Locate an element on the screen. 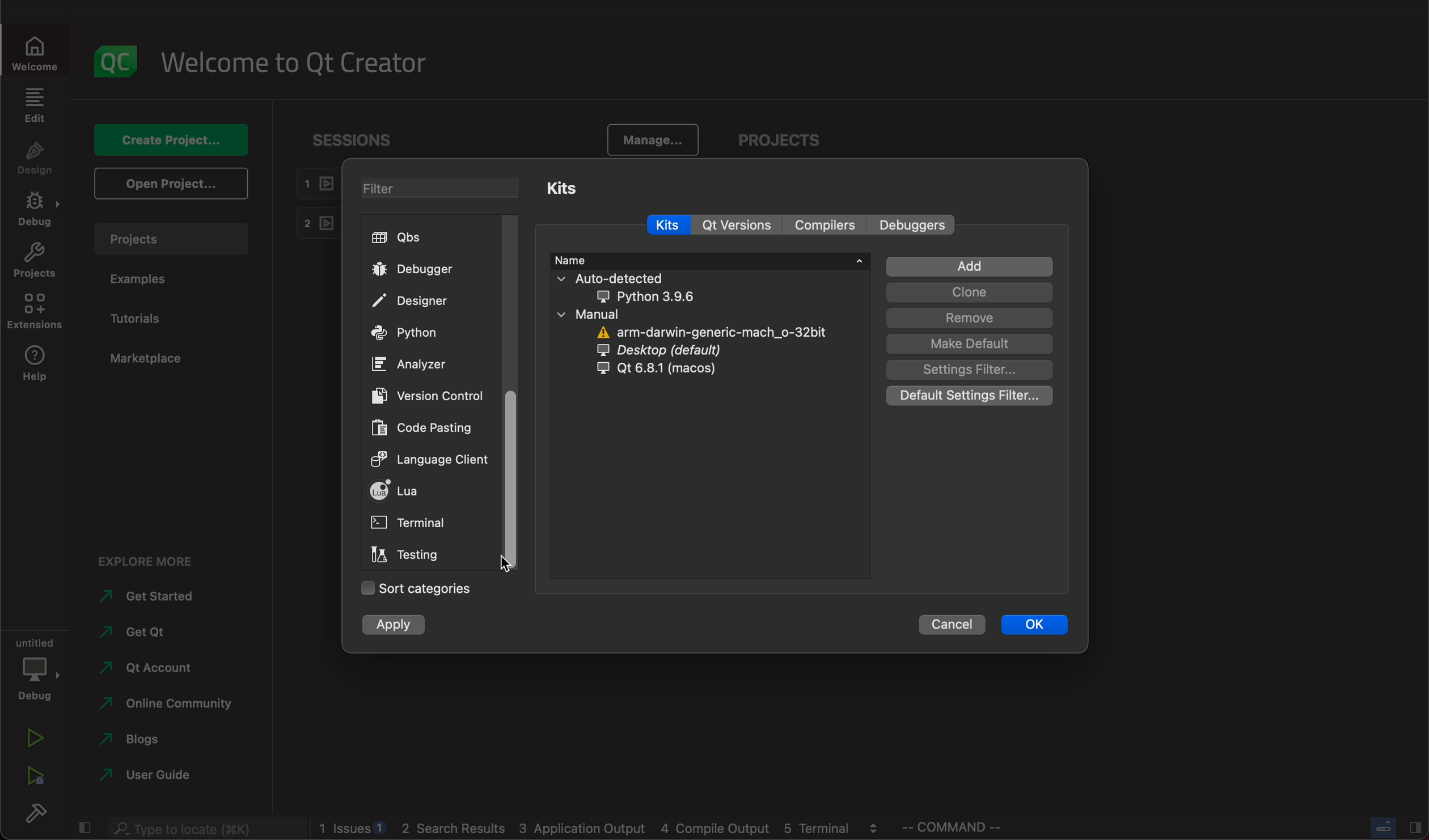  started is located at coordinates (147, 600).